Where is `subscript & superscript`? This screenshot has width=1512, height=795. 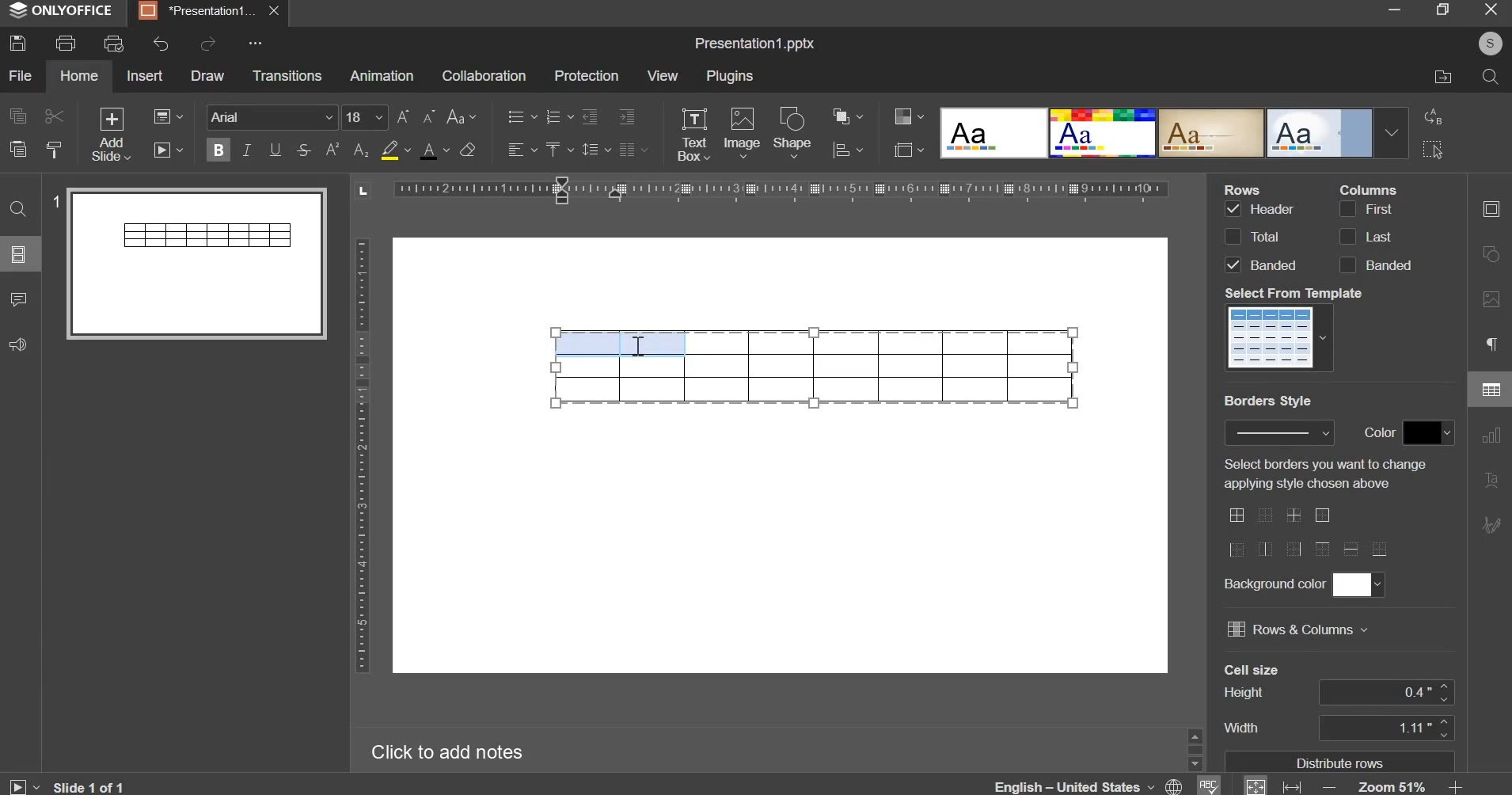 subscript & superscript is located at coordinates (347, 149).